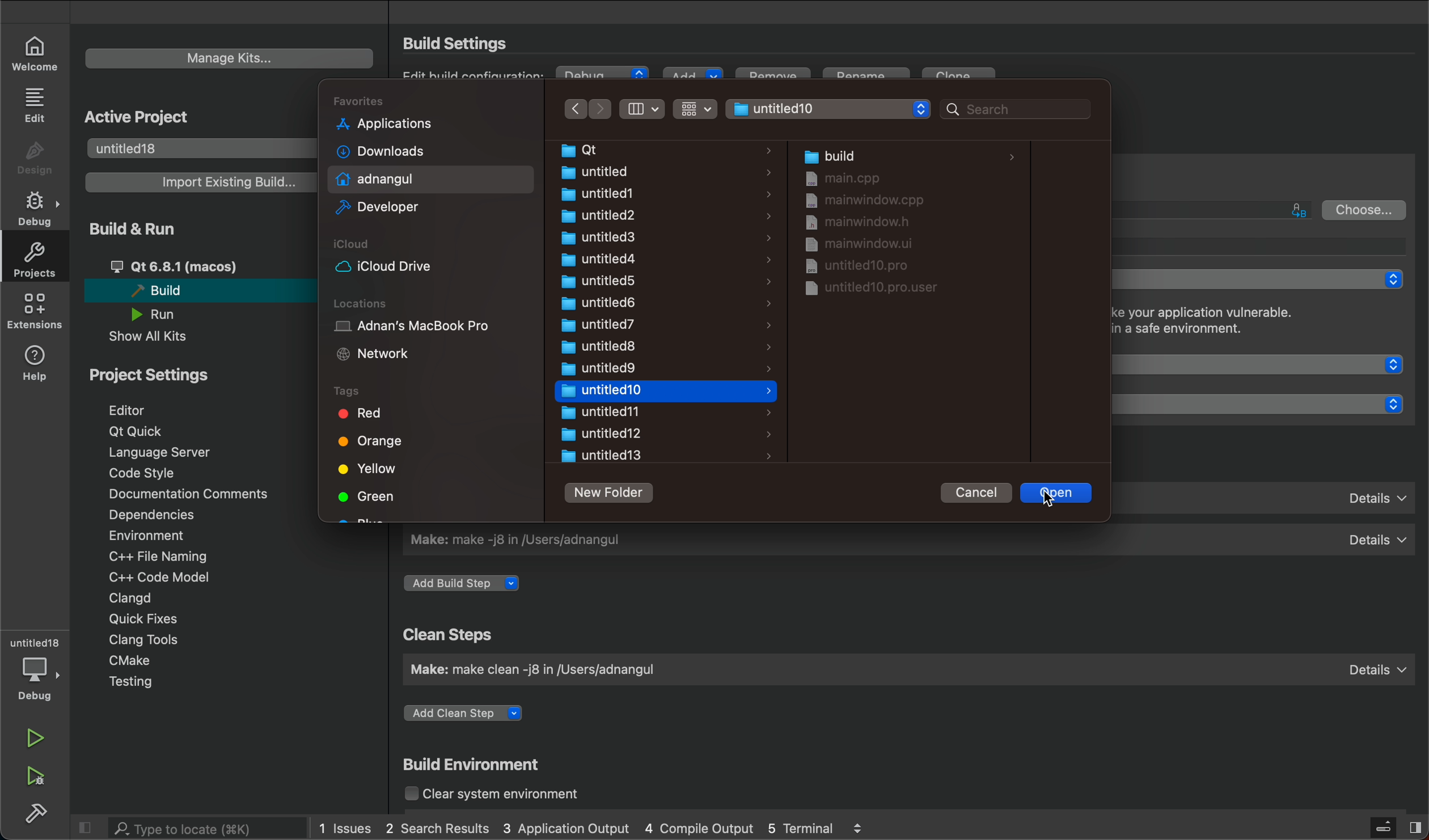  I want to click on search bar, so click(193, 828).